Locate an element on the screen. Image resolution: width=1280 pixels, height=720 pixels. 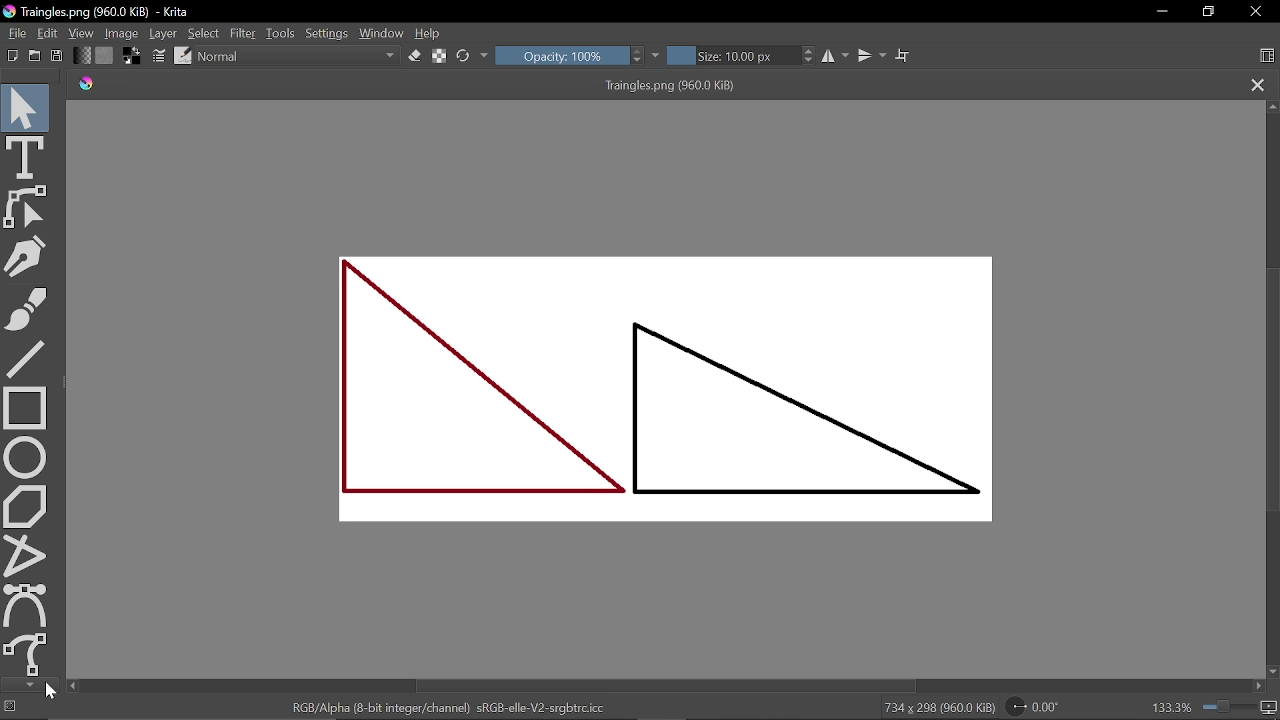
Move down is located at coordinates (1272, 672).